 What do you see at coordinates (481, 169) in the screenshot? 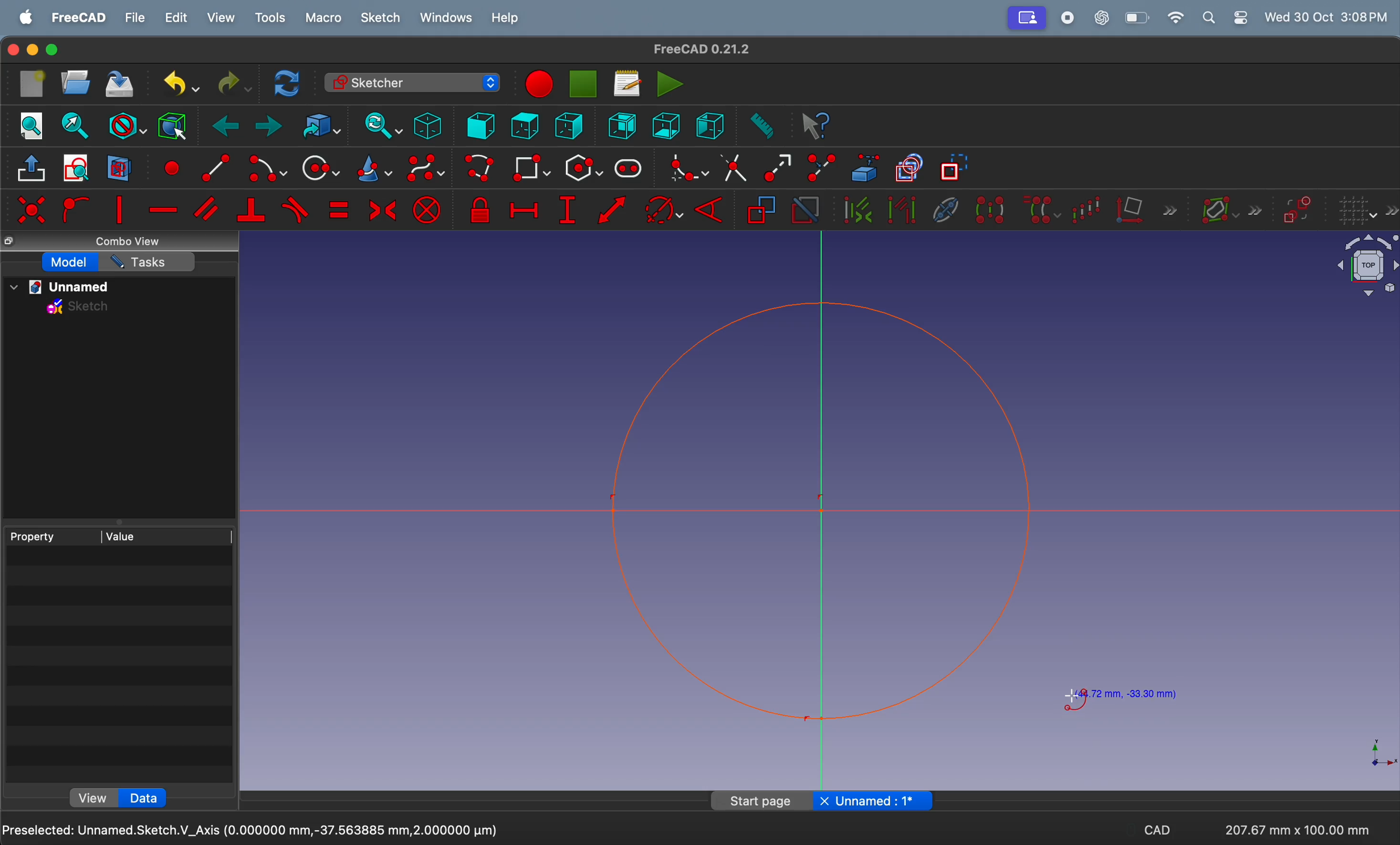
I see `create ploy line` at bounding box center [481, 169].